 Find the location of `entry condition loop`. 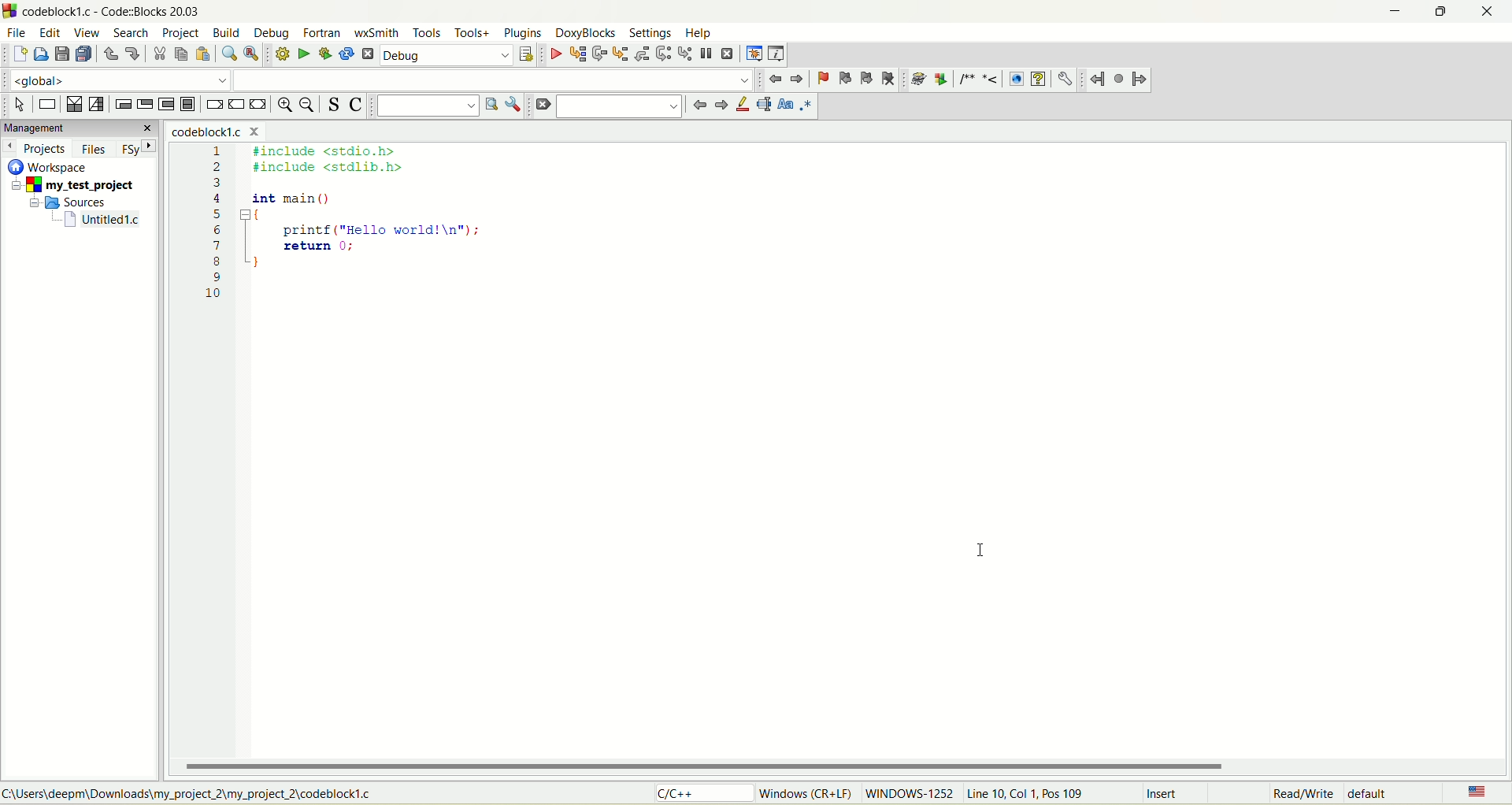

entry condition loop is located at coordinates (120, 104).